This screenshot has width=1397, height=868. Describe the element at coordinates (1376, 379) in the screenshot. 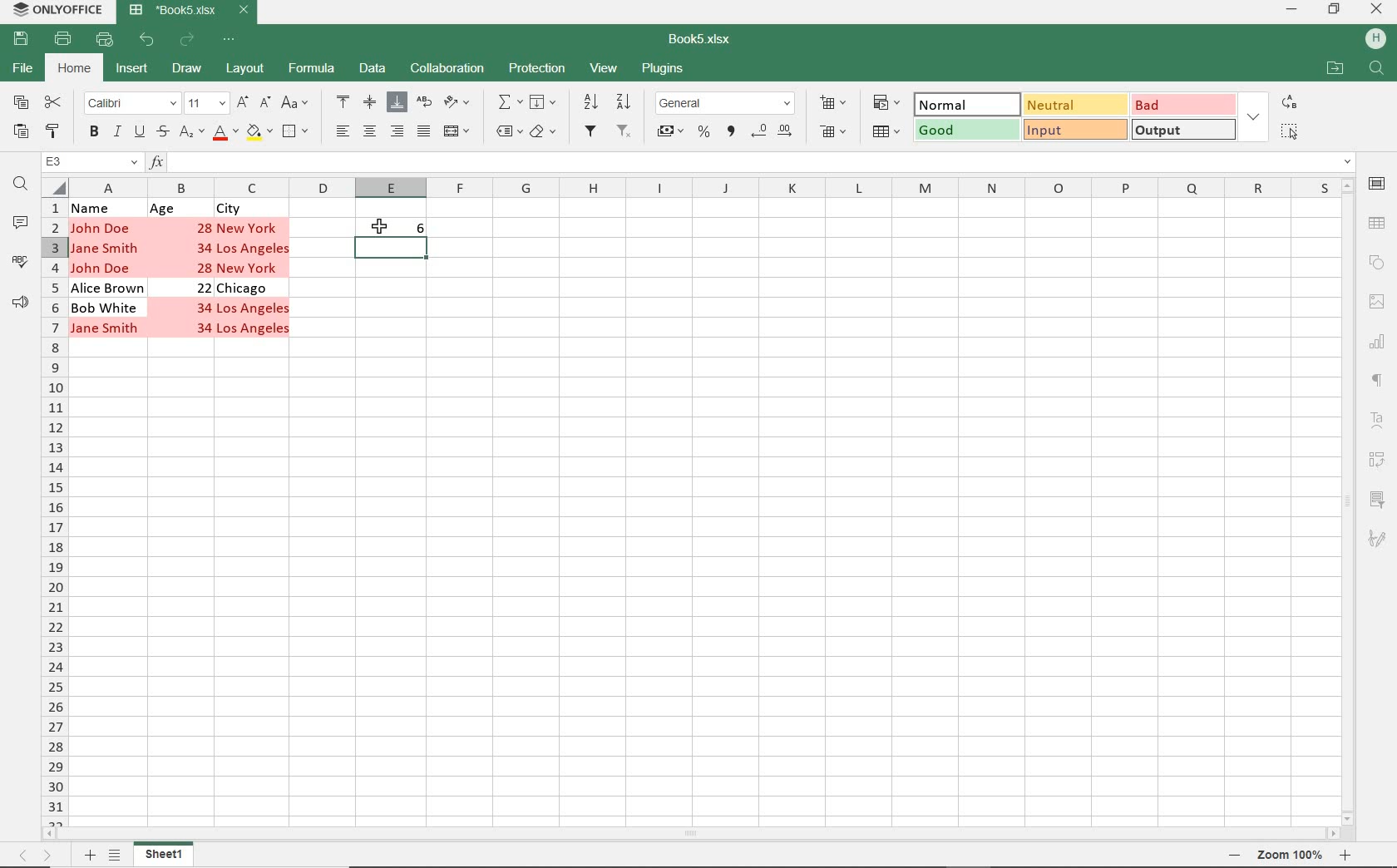

I see `PARAGRAPH SETTINGS` at that location.